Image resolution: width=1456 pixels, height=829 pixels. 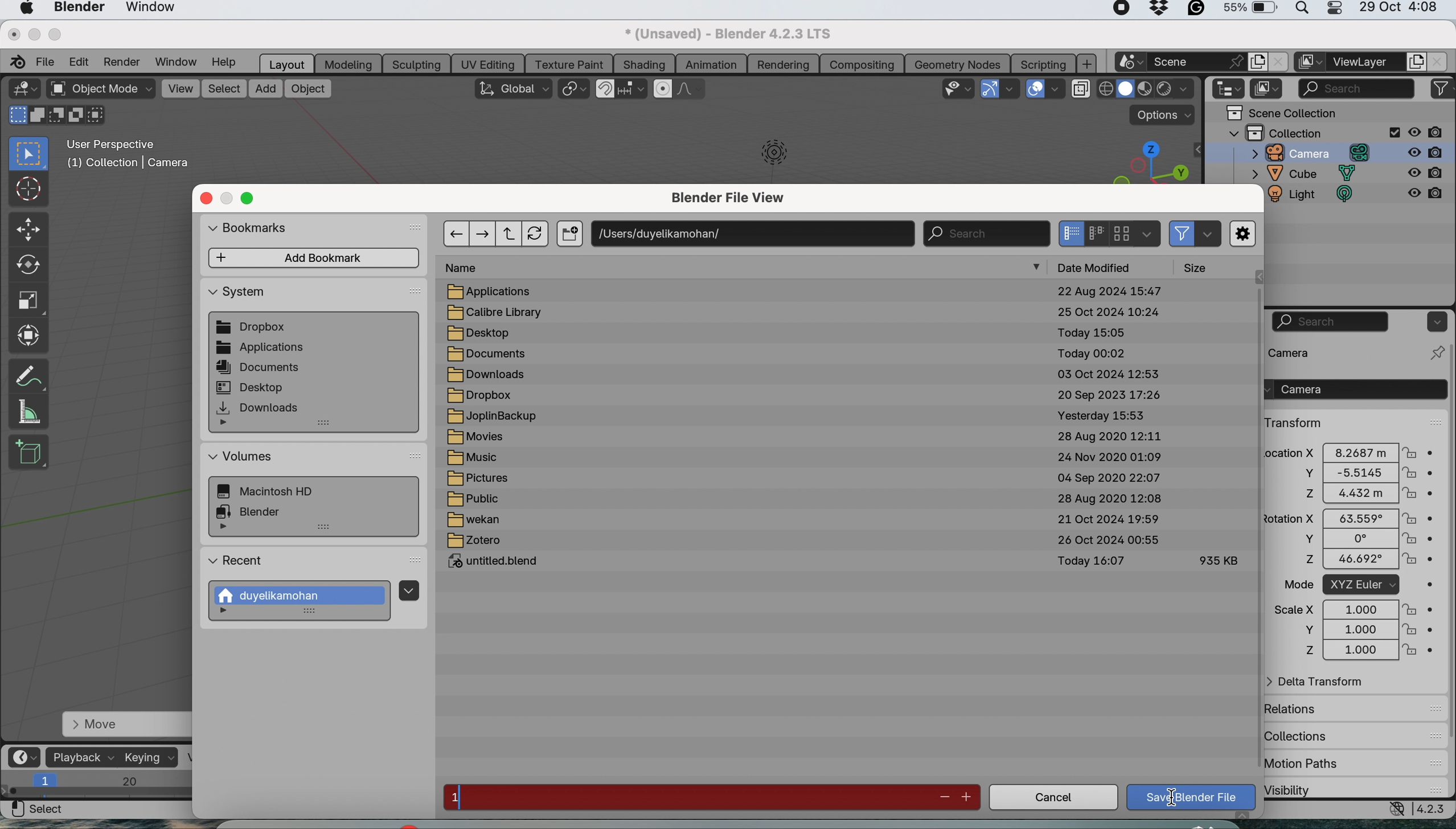 What do you see at coordinates (151, 9) in the screenshot?
I see `window` at bounding box center [151, 9].